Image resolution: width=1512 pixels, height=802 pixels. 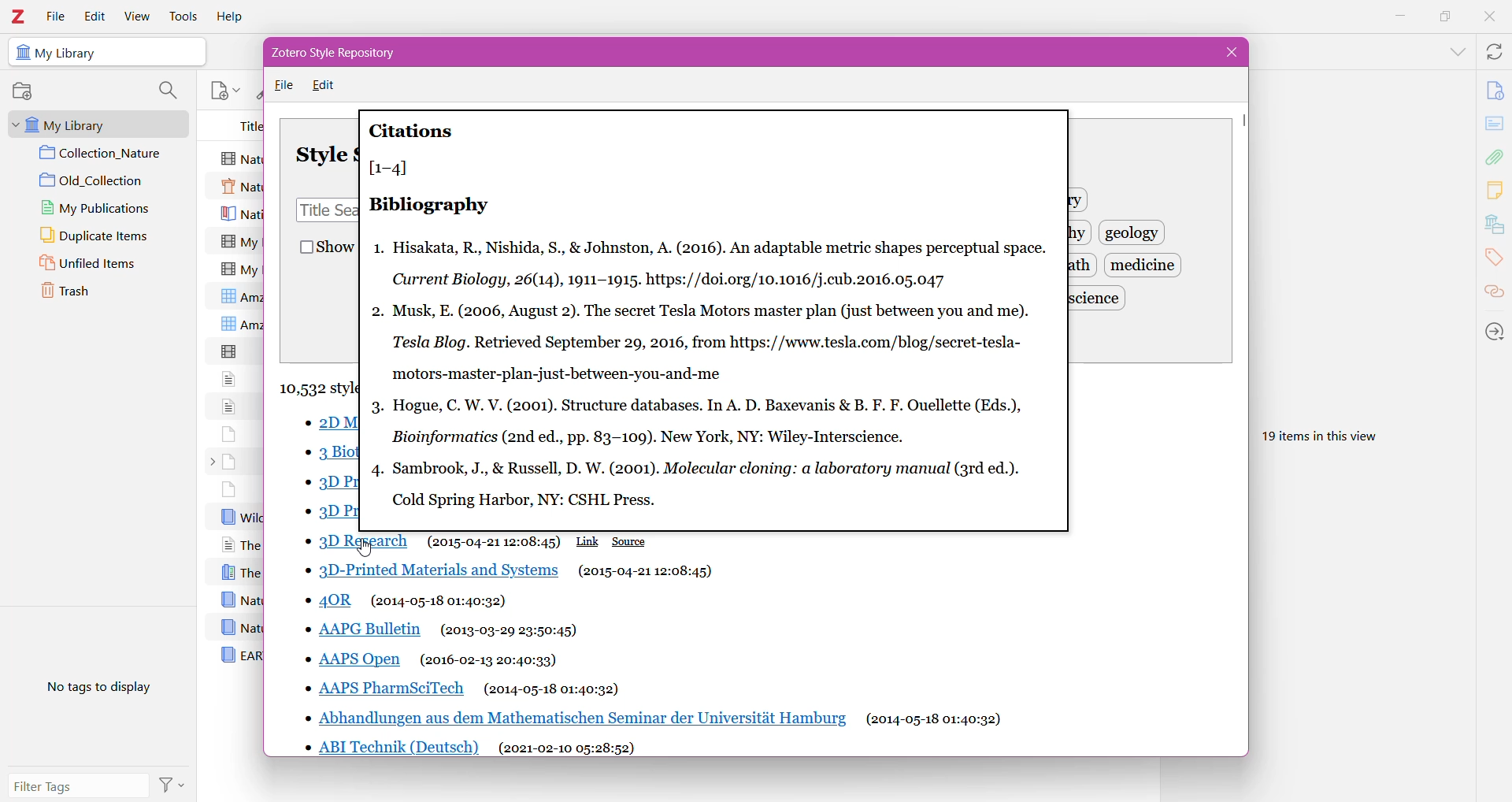 What do you see at coordinates (509, 631) in the screenshot?
I see `(2013-03-29 23:50:45)` at bounding box center [509, 631].